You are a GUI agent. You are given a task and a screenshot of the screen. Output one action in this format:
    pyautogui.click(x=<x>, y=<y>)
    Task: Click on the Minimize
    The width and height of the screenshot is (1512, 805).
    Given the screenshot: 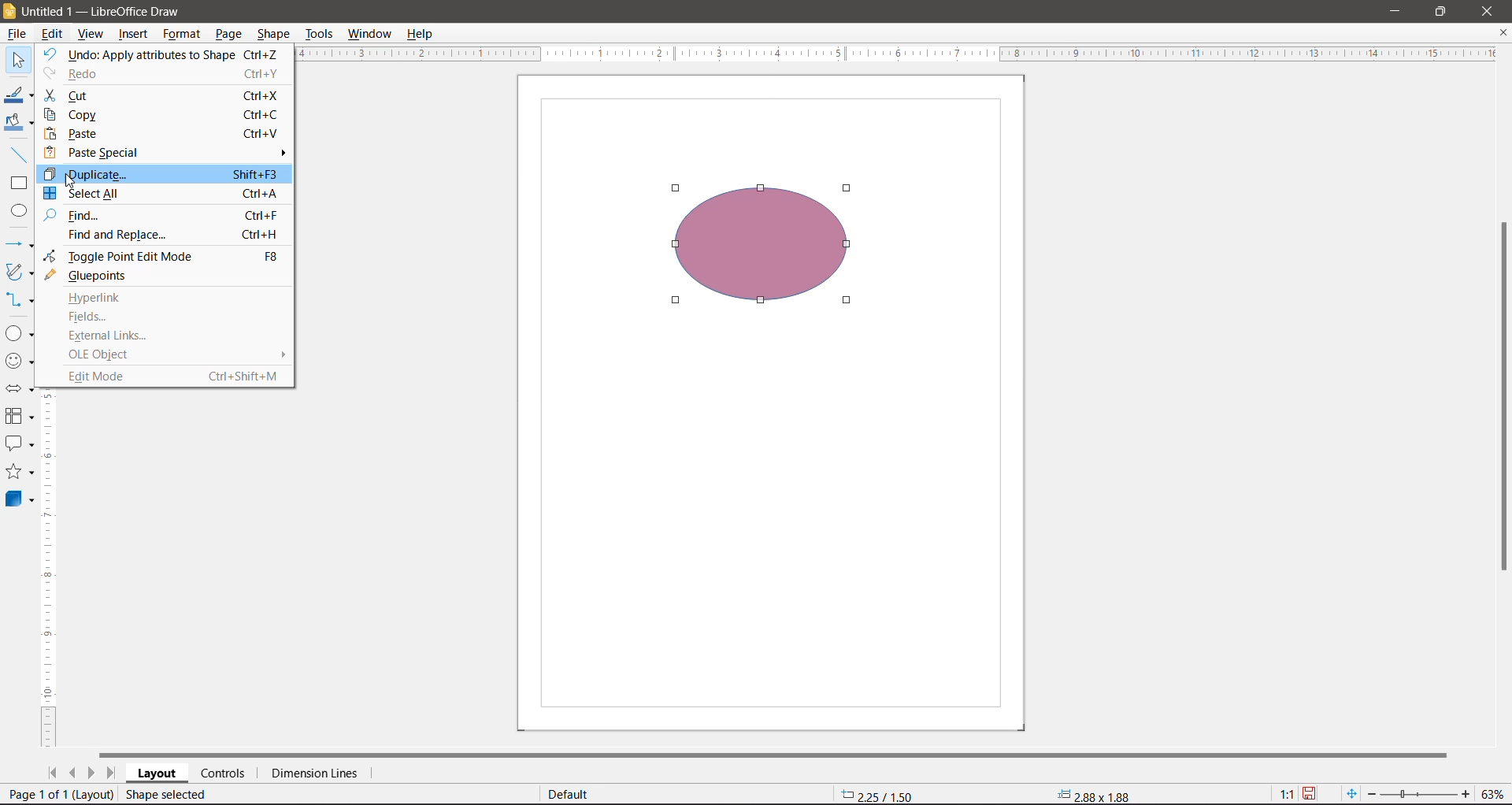 What is the action you would take?
    pyautogui.click(x=1396, y=12)
    